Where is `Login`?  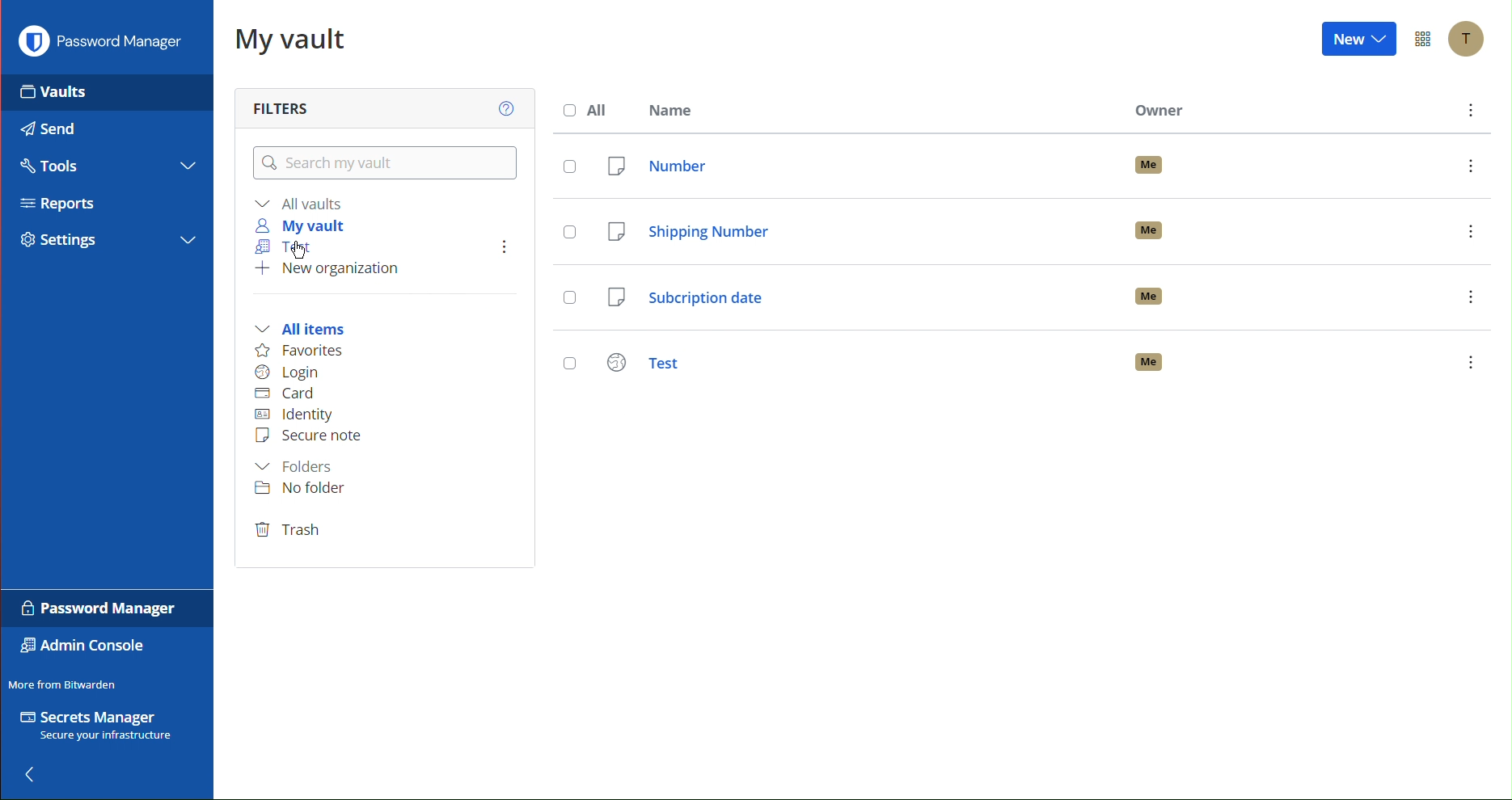
Login is located at coordinates (289, 373).